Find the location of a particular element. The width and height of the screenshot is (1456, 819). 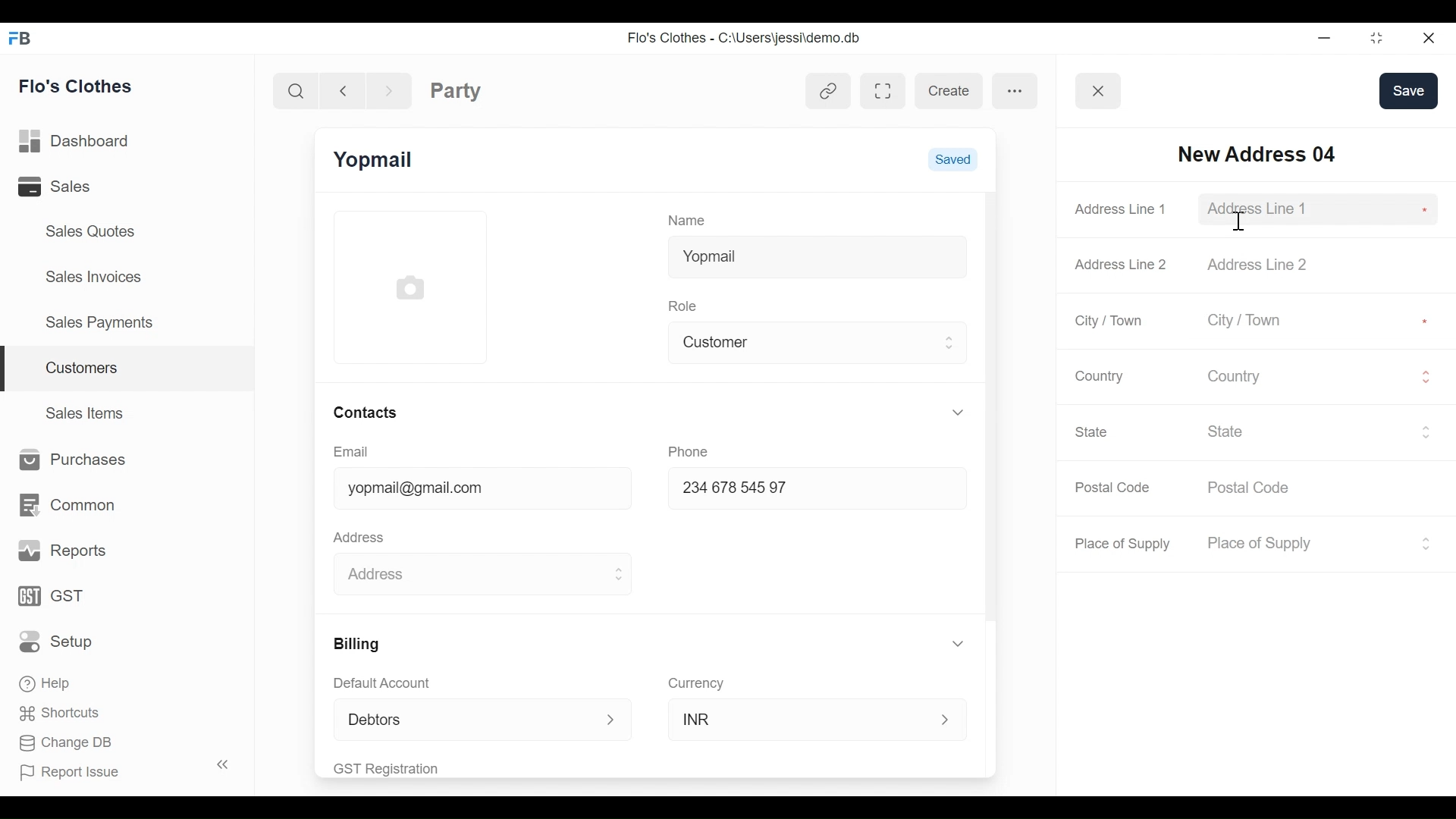

Role is located at coordinates (686, 304).